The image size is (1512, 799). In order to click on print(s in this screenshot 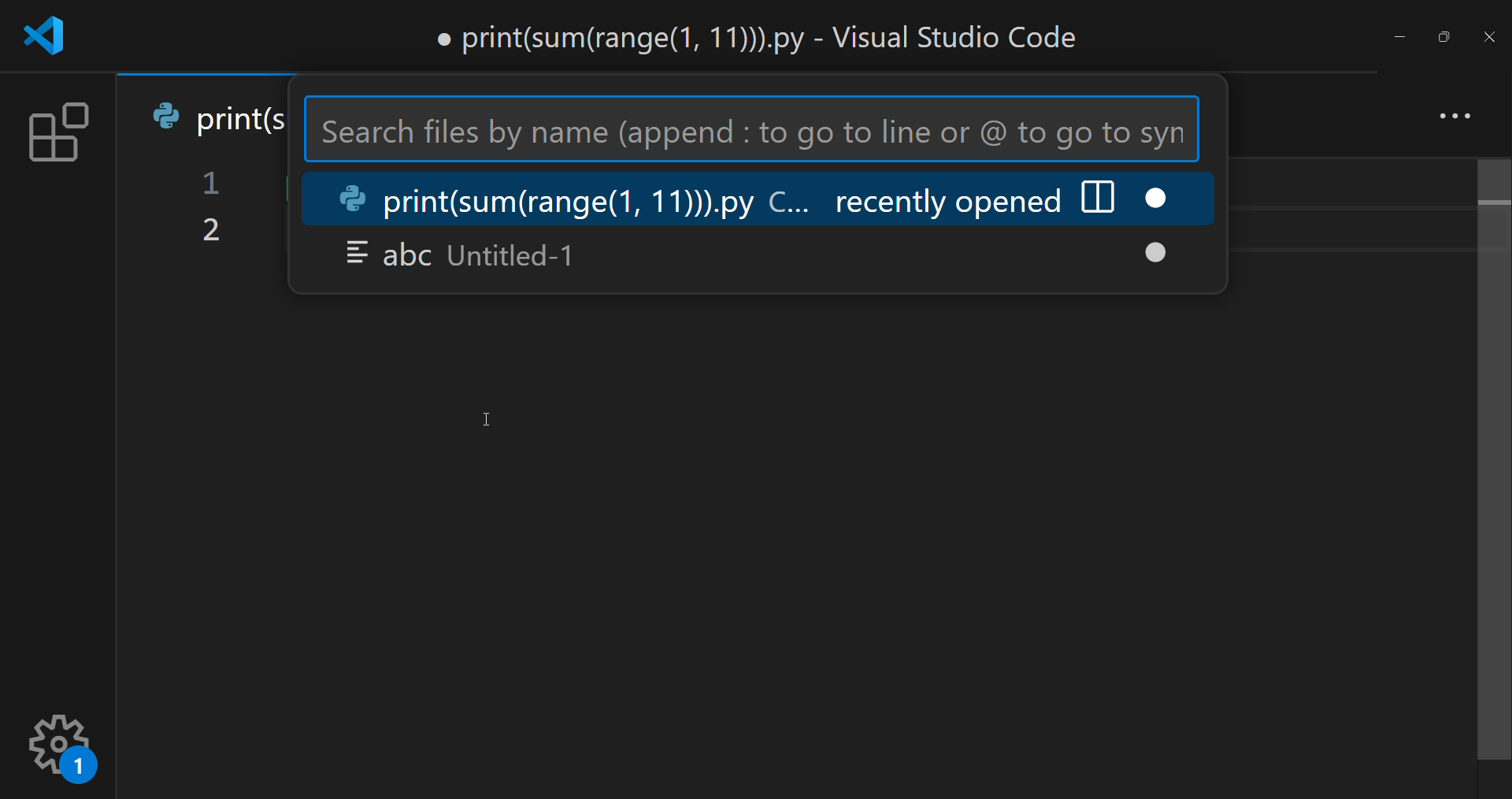, I will do `click(213, 117)`.